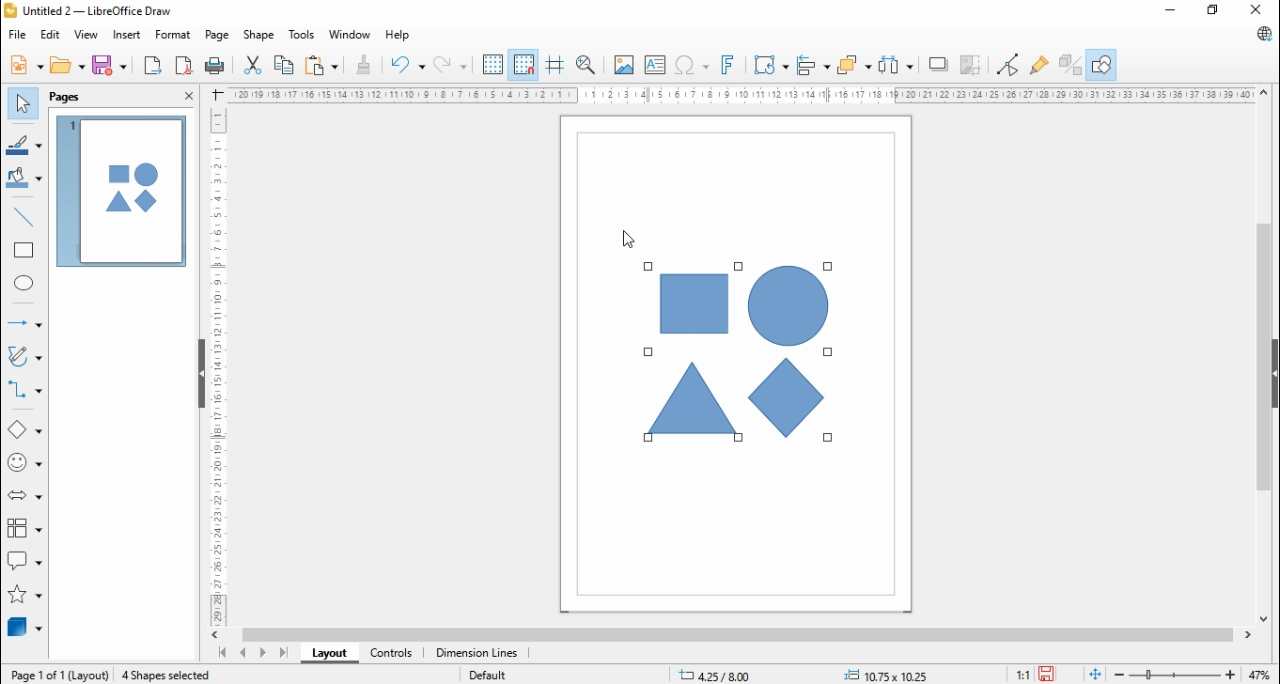 Image resolution: width=1280 pixels, height=684 pixels. Describe the element at coordinates (717, 677) in the screenshot. I see `16.96/2028` at that location.